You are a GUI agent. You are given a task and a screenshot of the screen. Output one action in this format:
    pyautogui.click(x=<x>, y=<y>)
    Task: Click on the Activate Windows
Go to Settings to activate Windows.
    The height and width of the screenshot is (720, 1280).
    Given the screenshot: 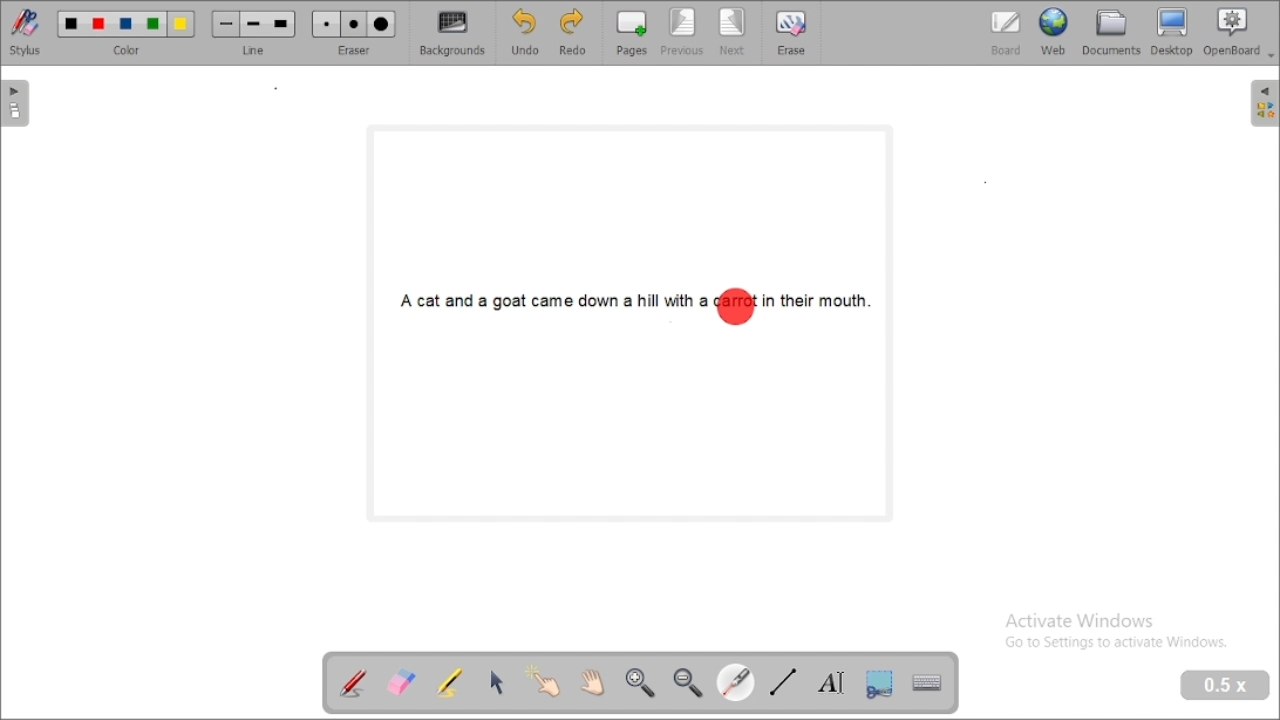 What is the action you would take?
    pyautogui.click(x=1118, y=633)
    